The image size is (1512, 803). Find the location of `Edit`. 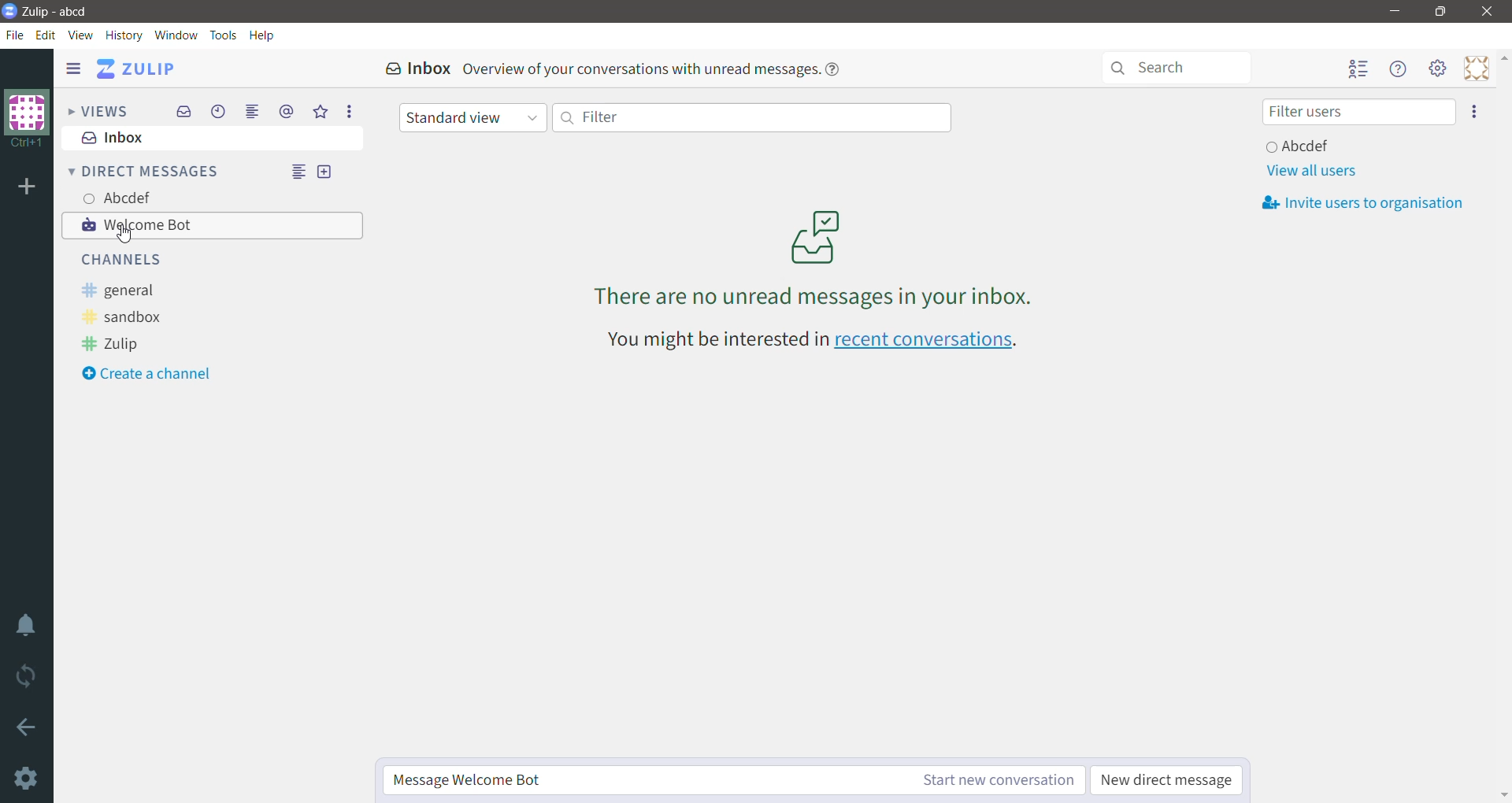

Edit is located at coordinates (48, 35).